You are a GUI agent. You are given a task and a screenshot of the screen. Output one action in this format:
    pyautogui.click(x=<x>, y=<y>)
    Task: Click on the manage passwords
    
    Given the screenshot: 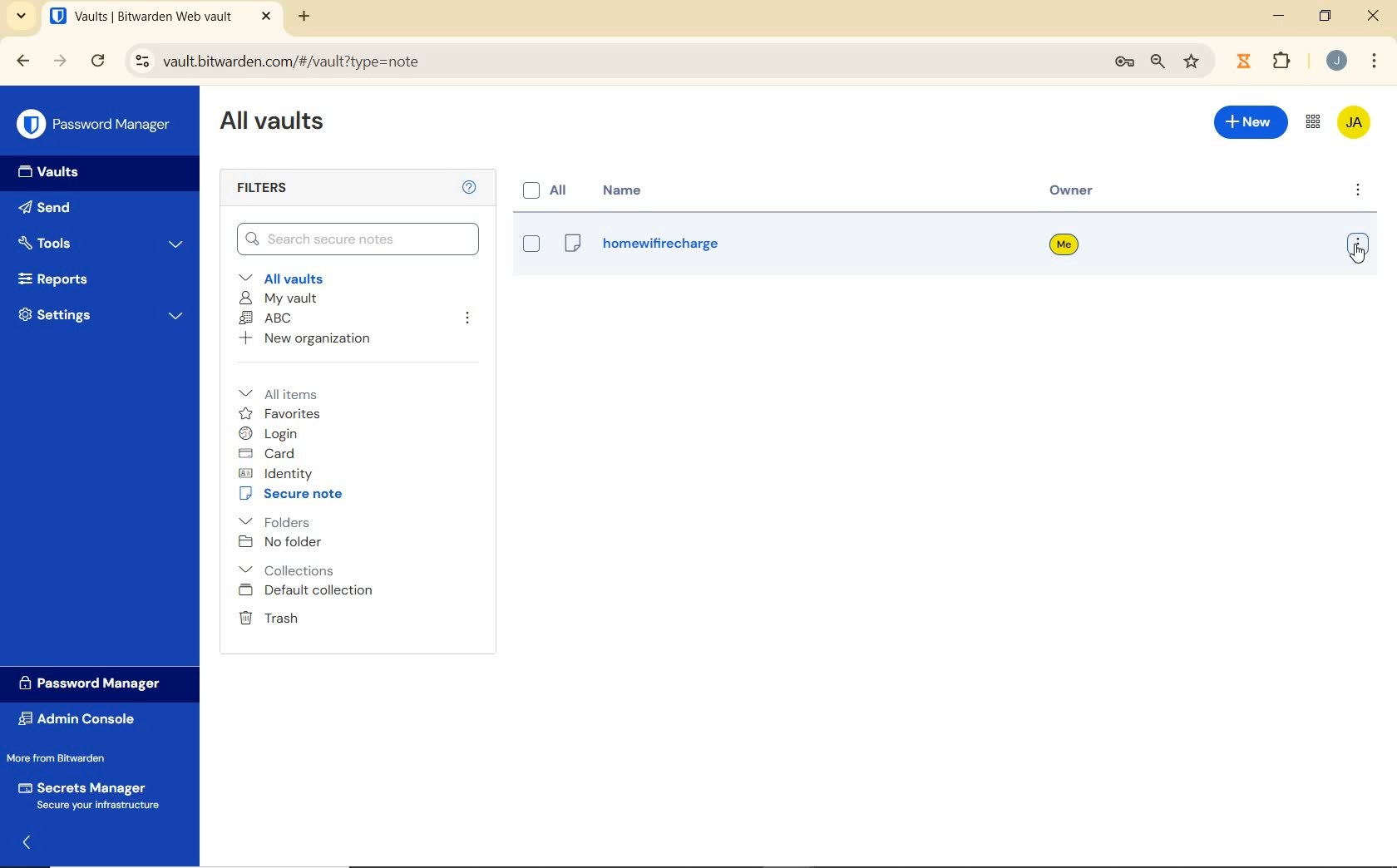 What is the action you would take?
    pyautogui.click(x=1124, y=65)
    